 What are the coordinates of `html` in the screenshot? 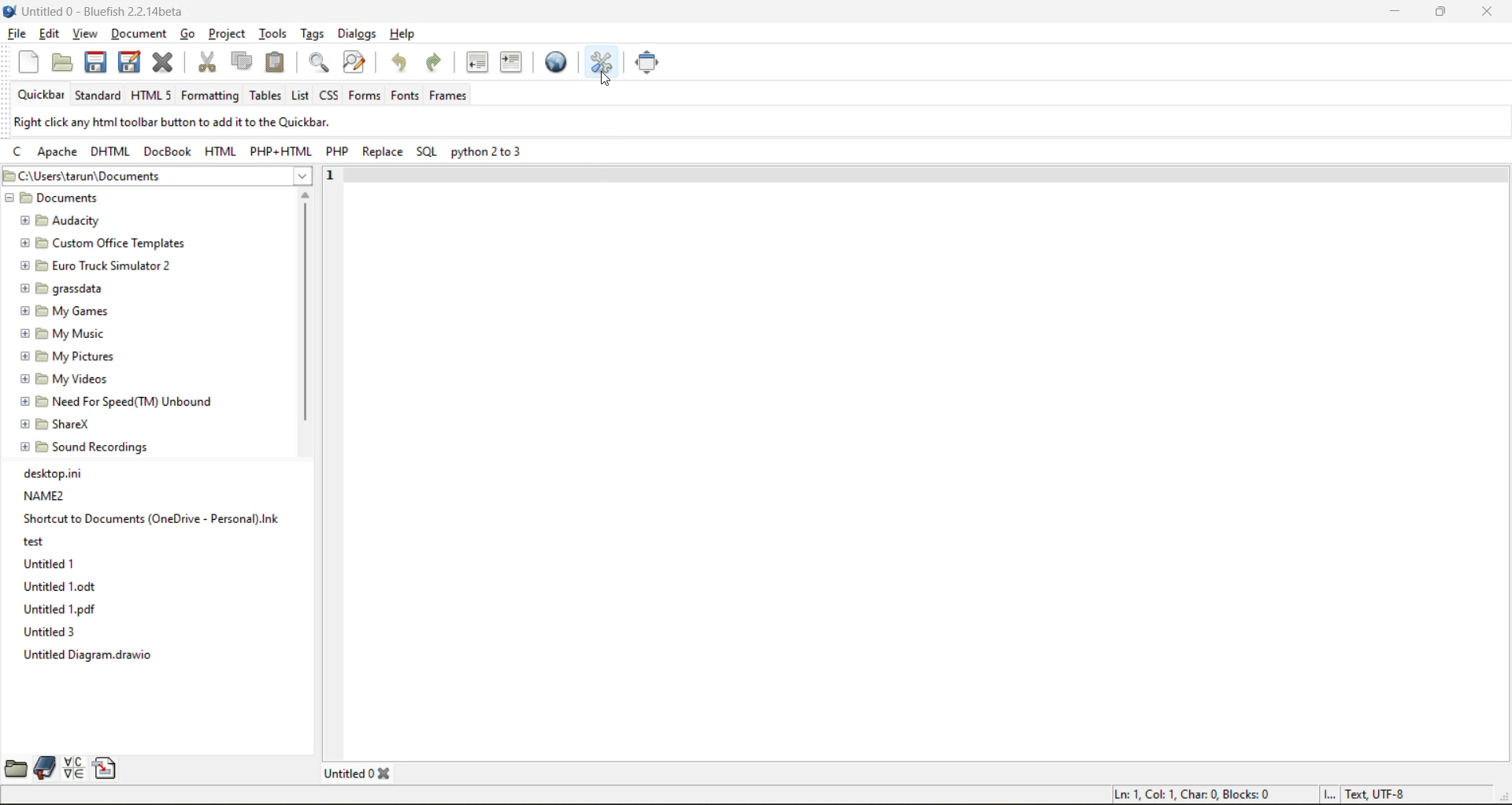 It's located at (220, 150).